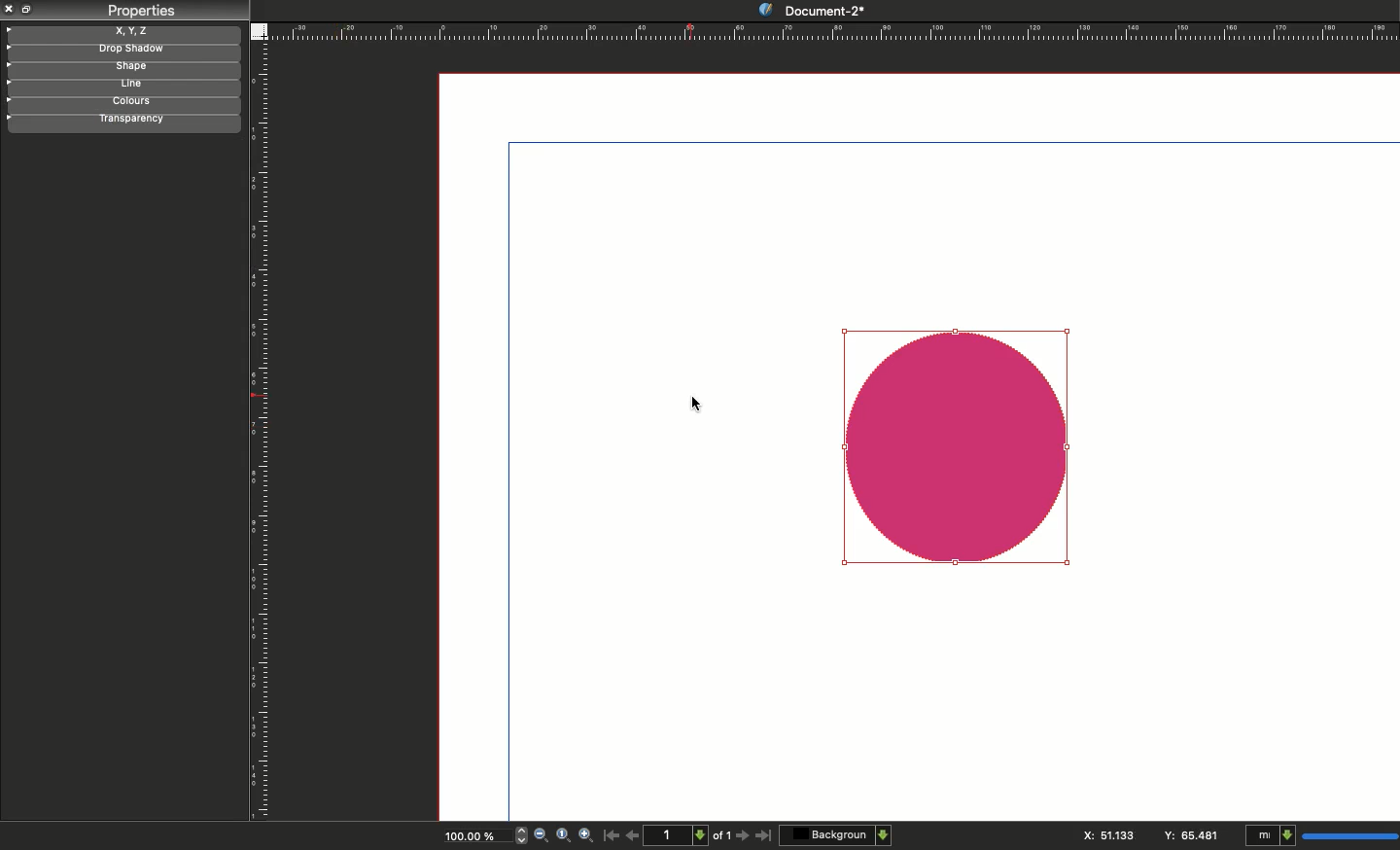 This screenshot has height=850, width=1400. What do you see at coordinates (833, 31) in the screenshot?
I see `Ruler` at bounding box center [833, 31].